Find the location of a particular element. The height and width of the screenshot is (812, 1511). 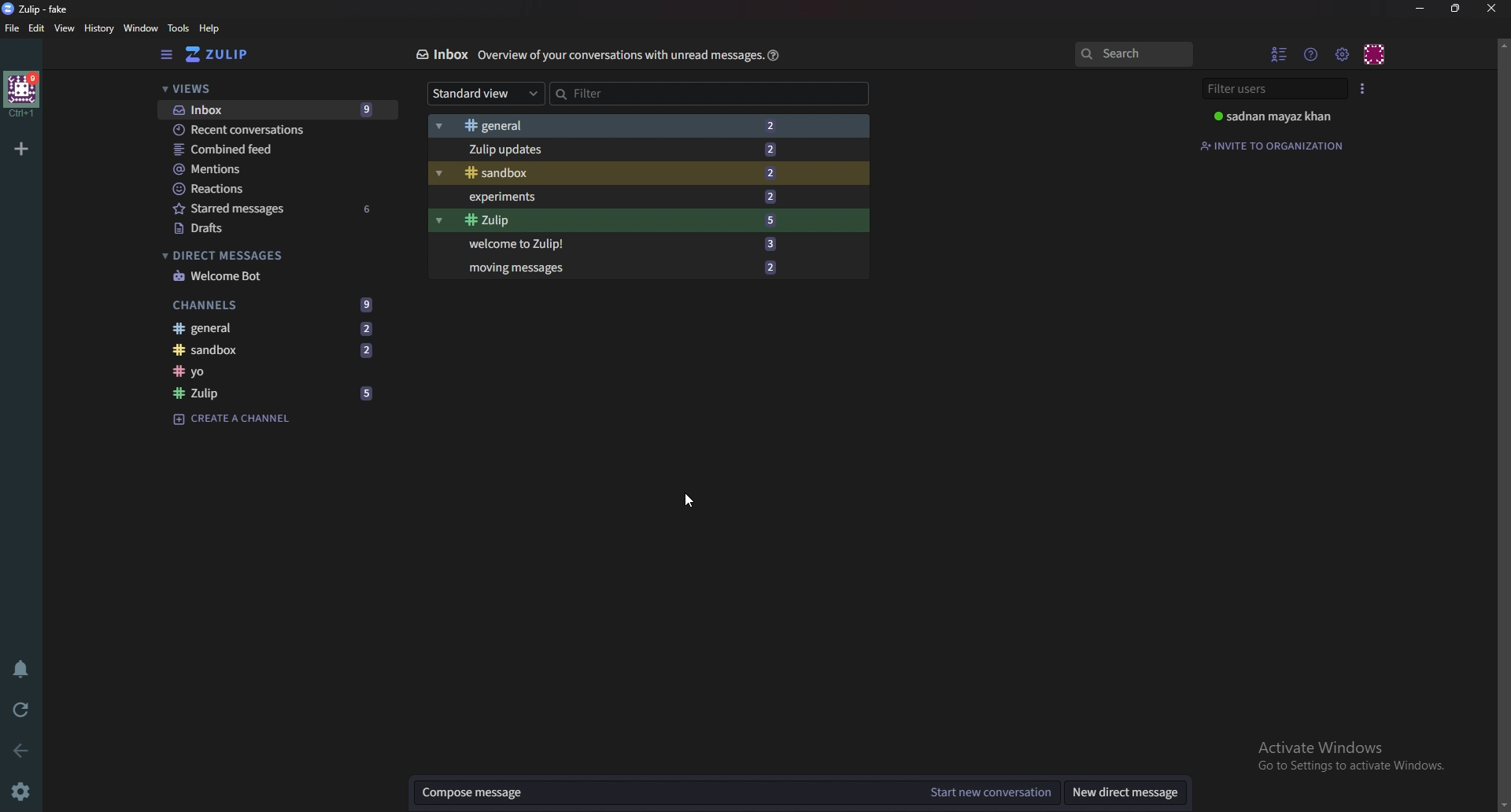

help is located at coordinates (1311, 56).